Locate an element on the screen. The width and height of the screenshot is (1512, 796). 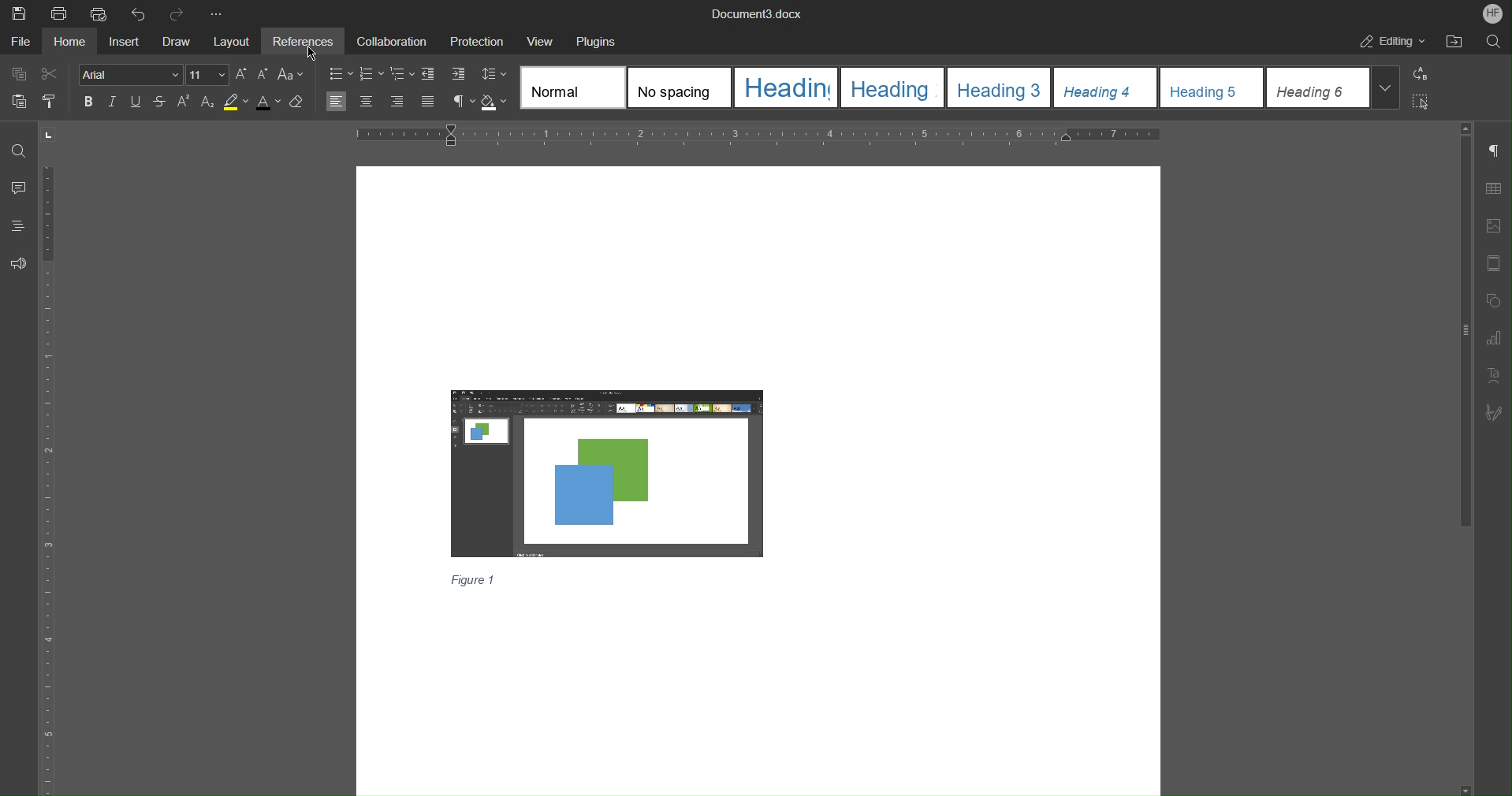
Horizontal Ruler is located at coordinates (758, 133).